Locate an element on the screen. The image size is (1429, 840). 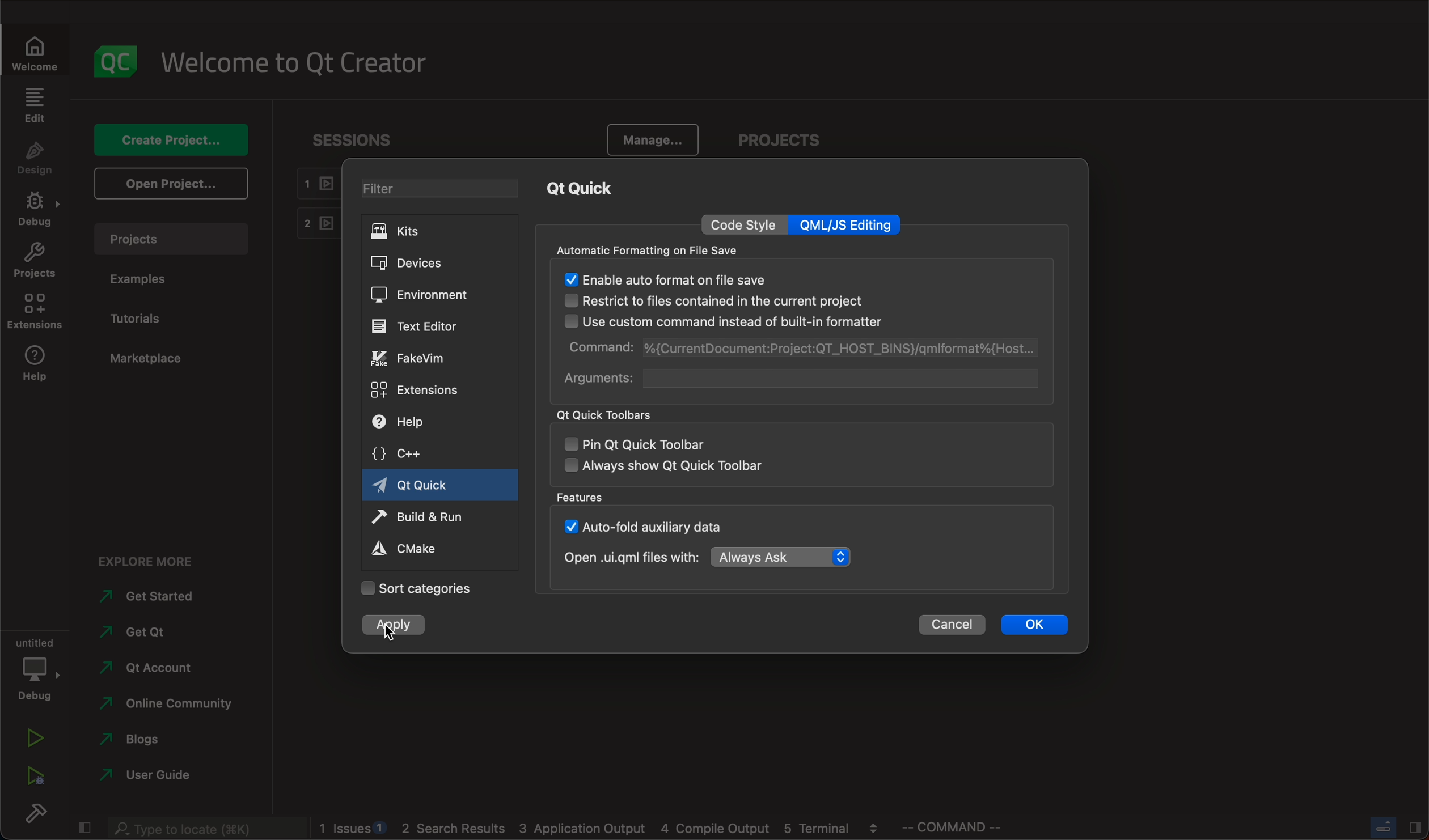
extensions is located at coordinates (33, 311).